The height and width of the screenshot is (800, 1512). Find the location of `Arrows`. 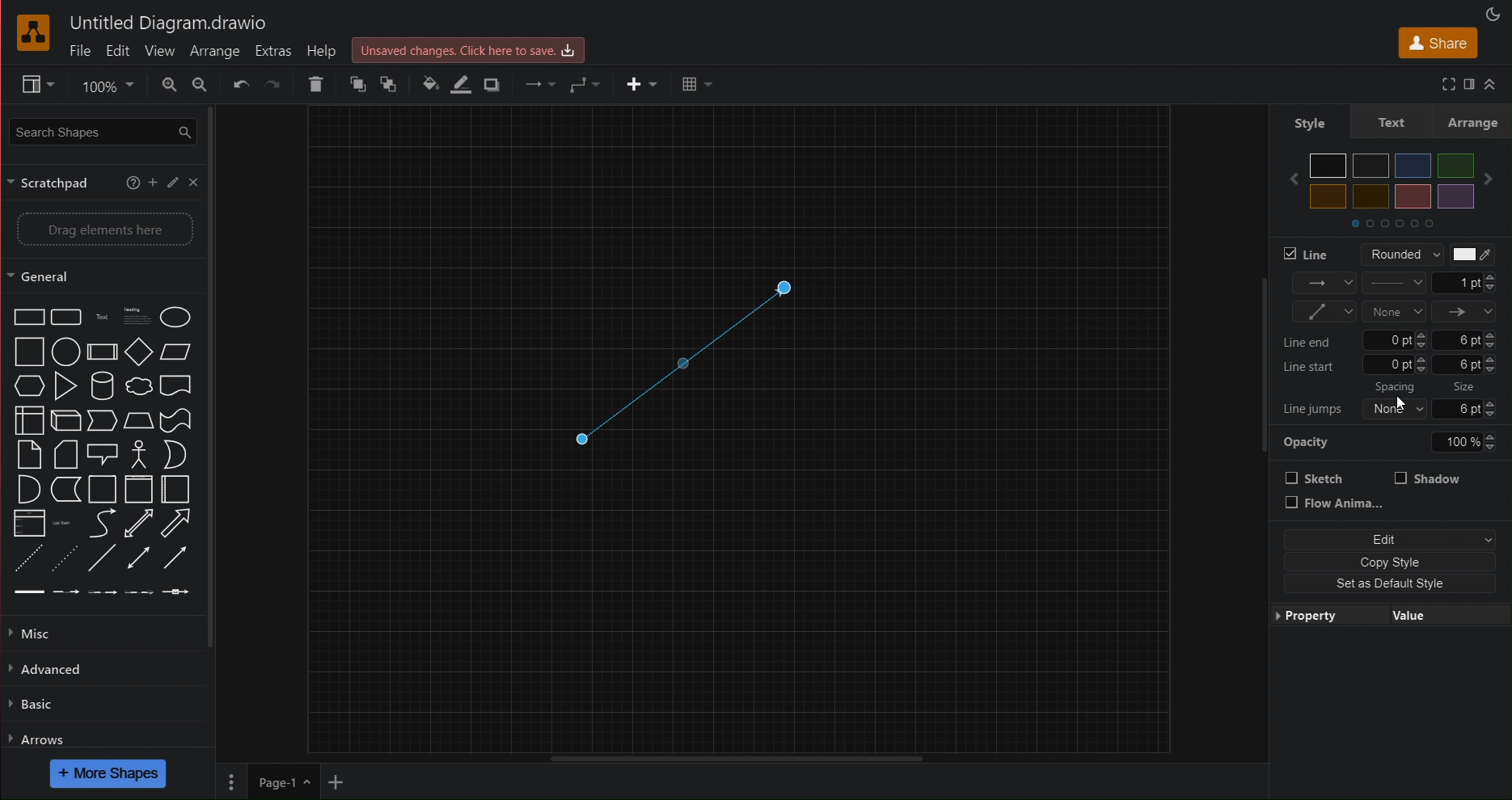

Arrows is located at coordinates (38, 739).